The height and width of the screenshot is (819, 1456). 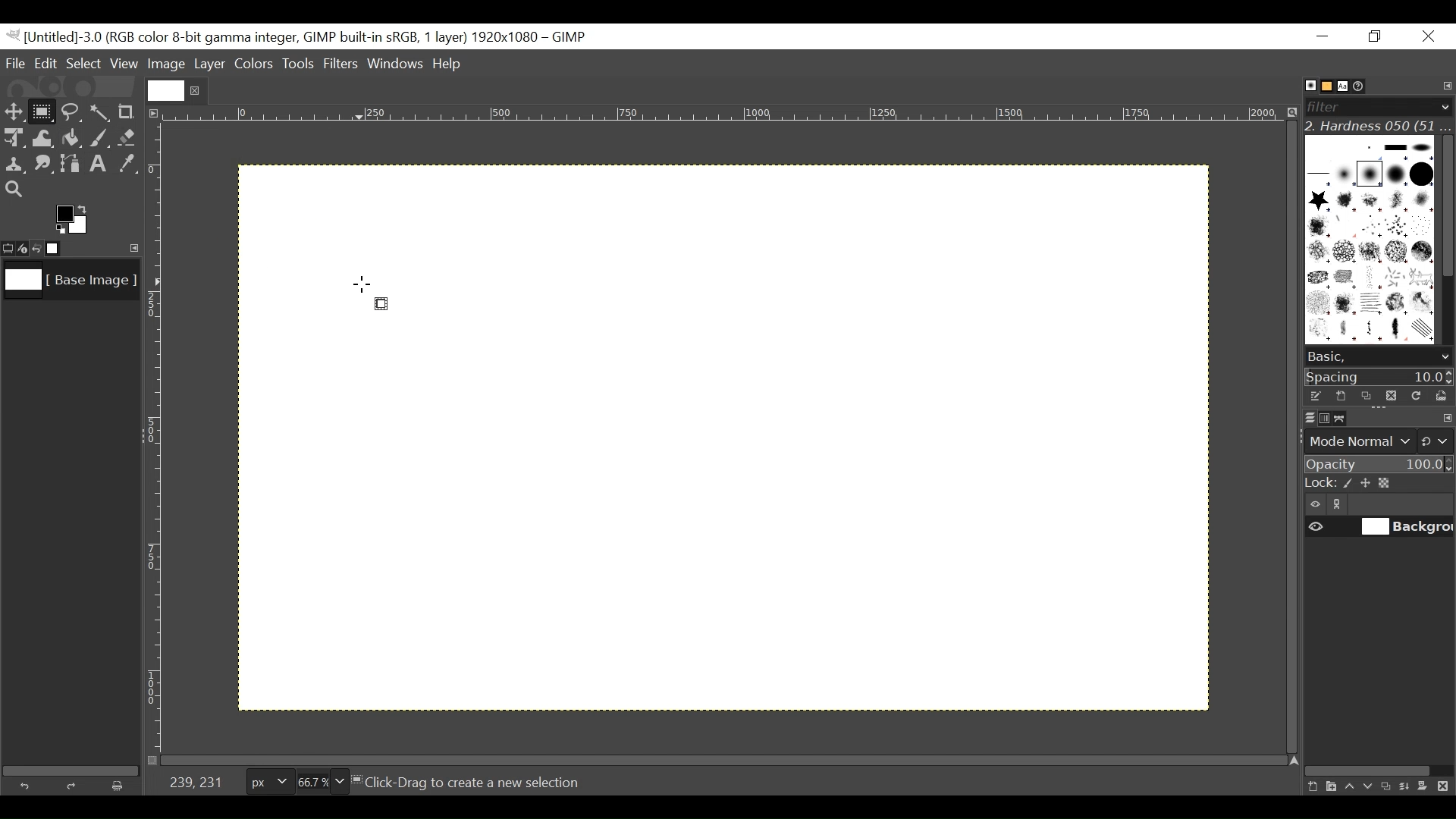 I want to click on Duplicate brush, so click(x=1390, y=395).